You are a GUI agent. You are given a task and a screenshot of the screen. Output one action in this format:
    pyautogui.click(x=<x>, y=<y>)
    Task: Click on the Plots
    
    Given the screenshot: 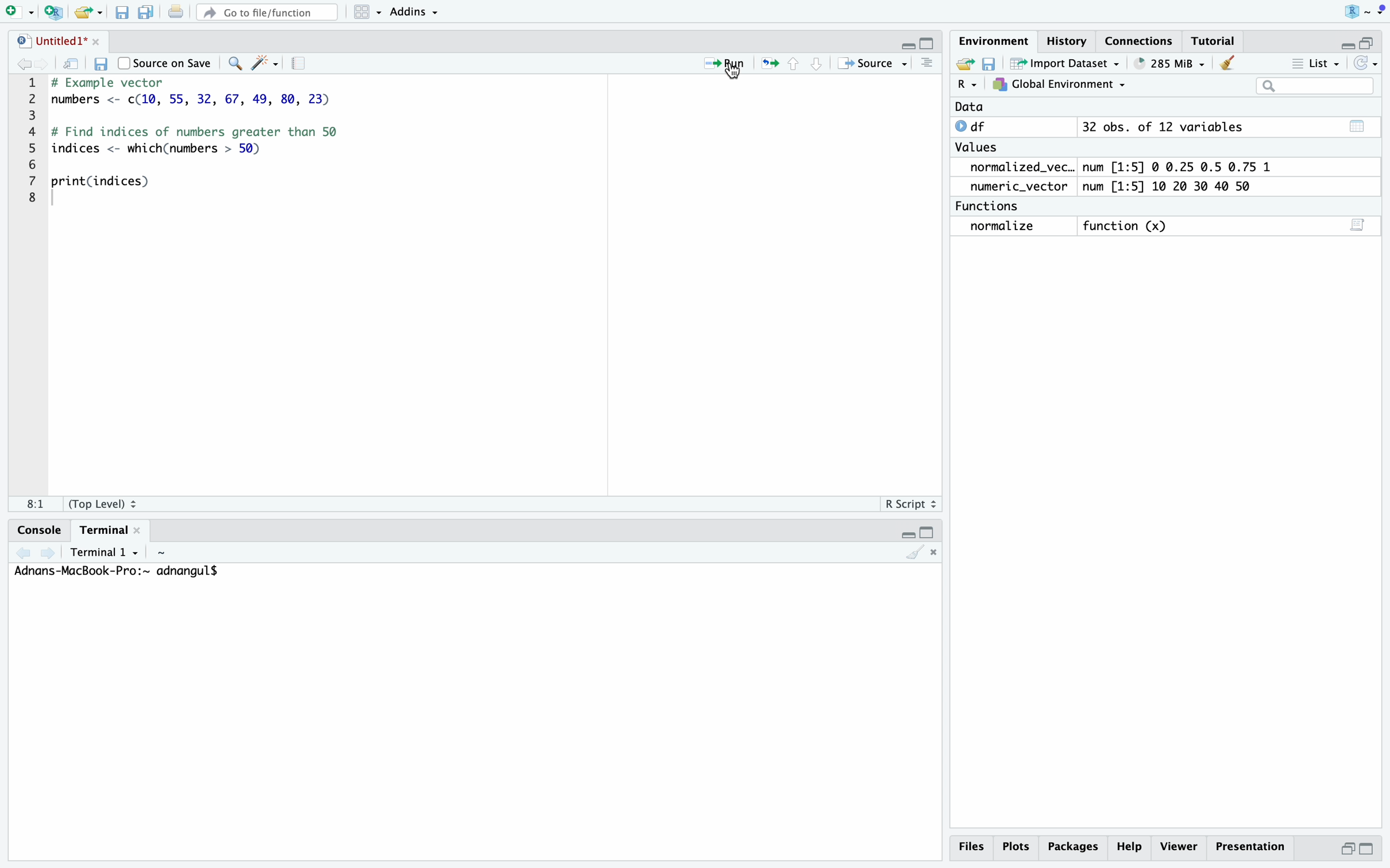 What is the action you would take?
    pyautogui.click(x=1020, y=846)
    